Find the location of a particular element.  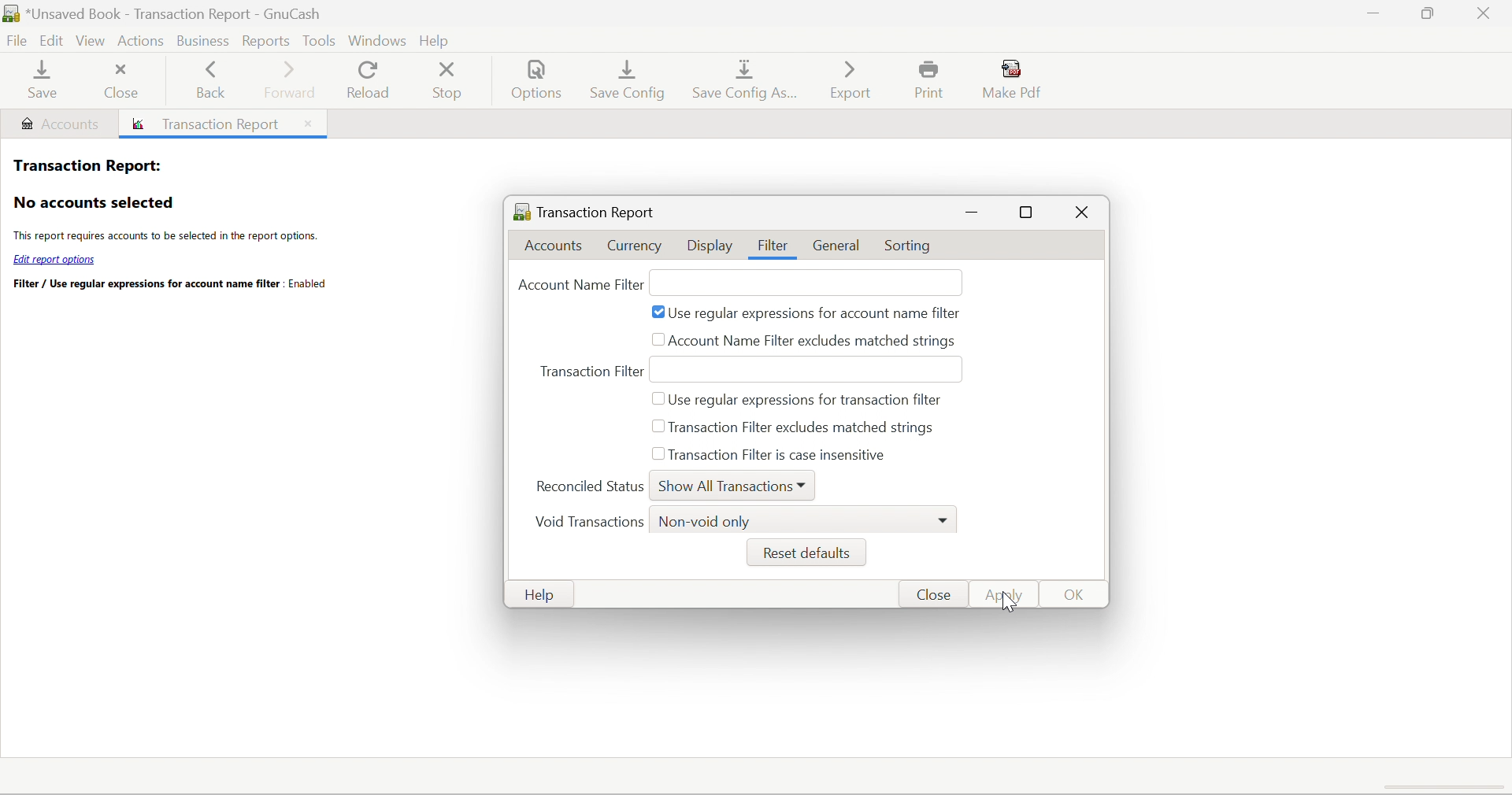

Export is located at coordinates (849, 79).